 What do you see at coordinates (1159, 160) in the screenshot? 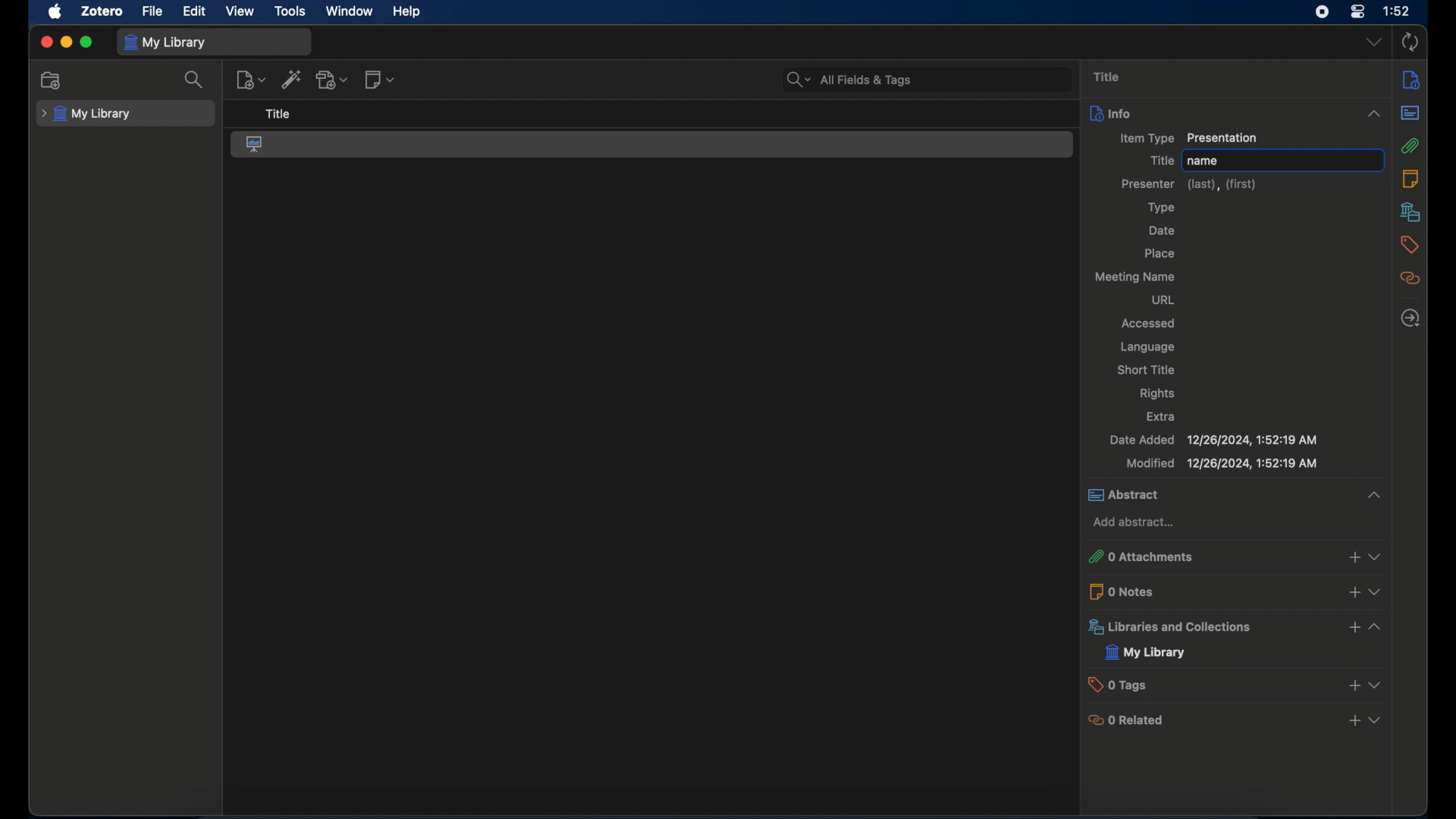
I see `title` at bounding box center [1159, 160].